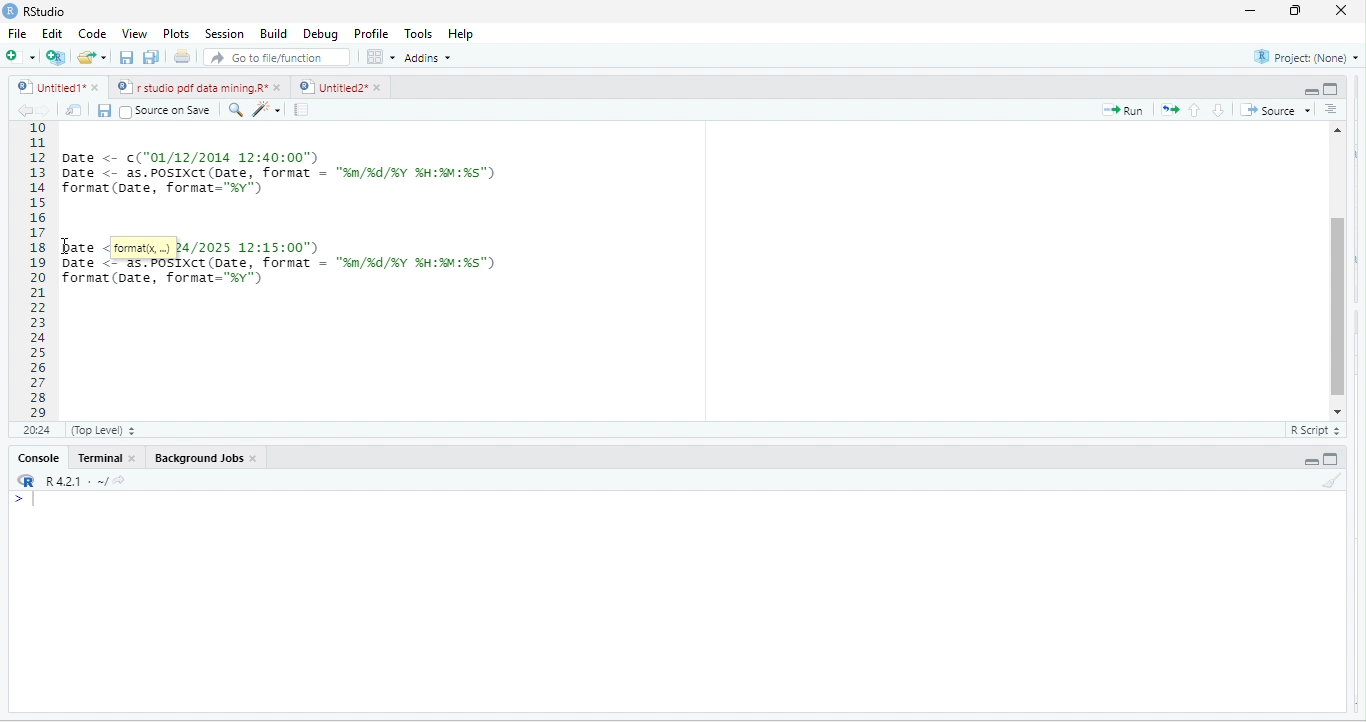 Image resolution: width=1366 pixels, height=722 pixels. What do you see at coordinates (380, 88) in the screenshot?
I see `close` at bounding box center [380, 88].